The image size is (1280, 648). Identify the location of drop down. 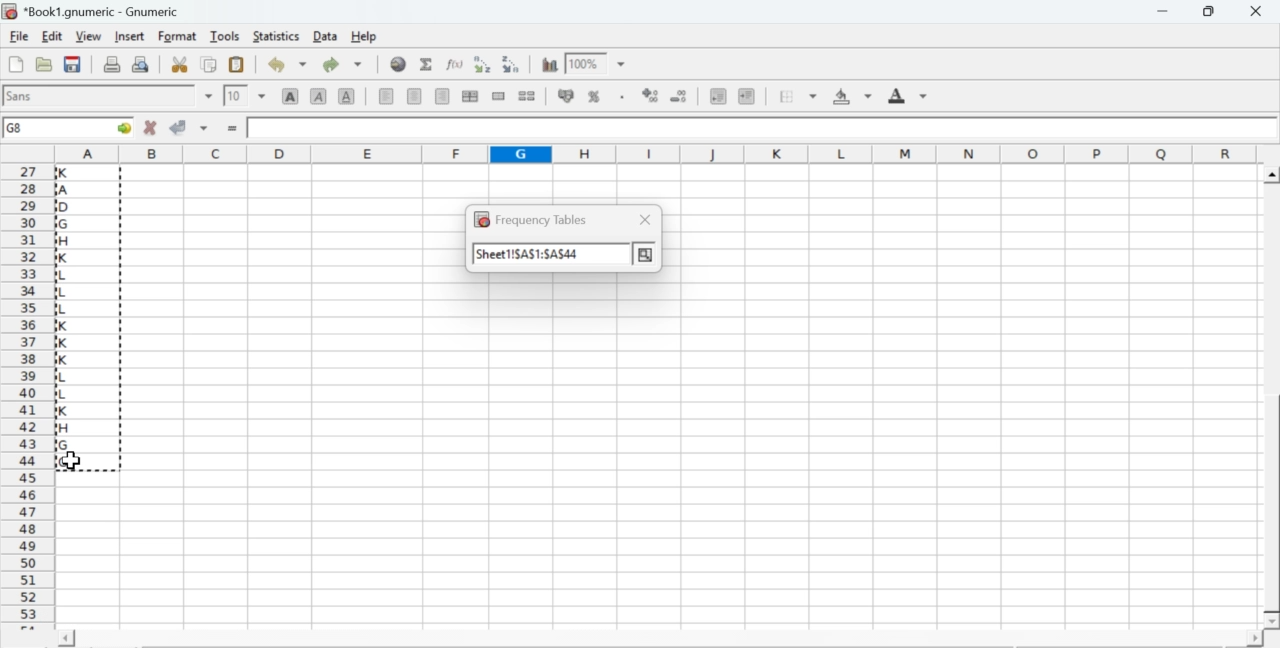
(262, 95).